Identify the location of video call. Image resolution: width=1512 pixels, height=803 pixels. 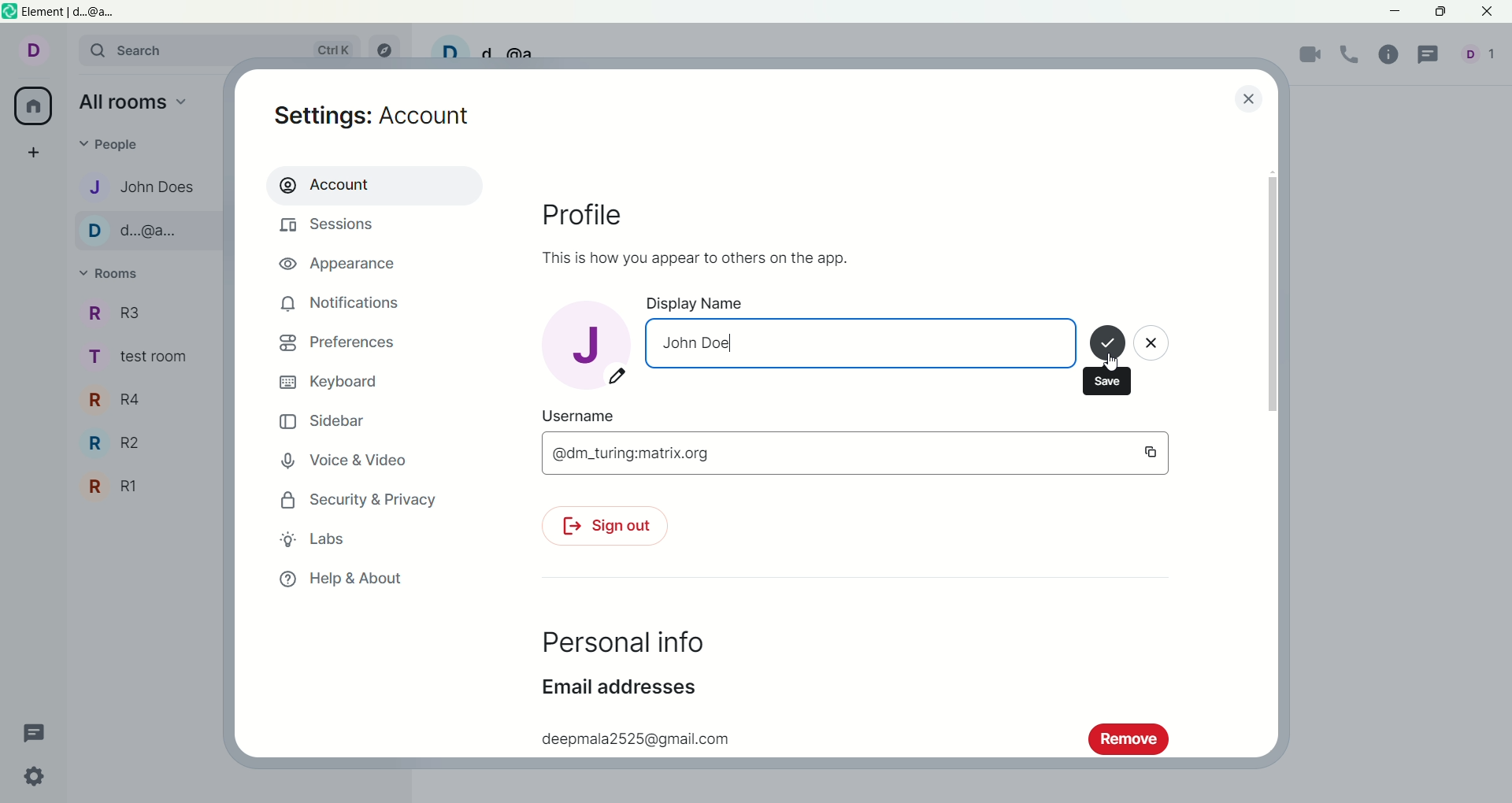
(1311, 57).